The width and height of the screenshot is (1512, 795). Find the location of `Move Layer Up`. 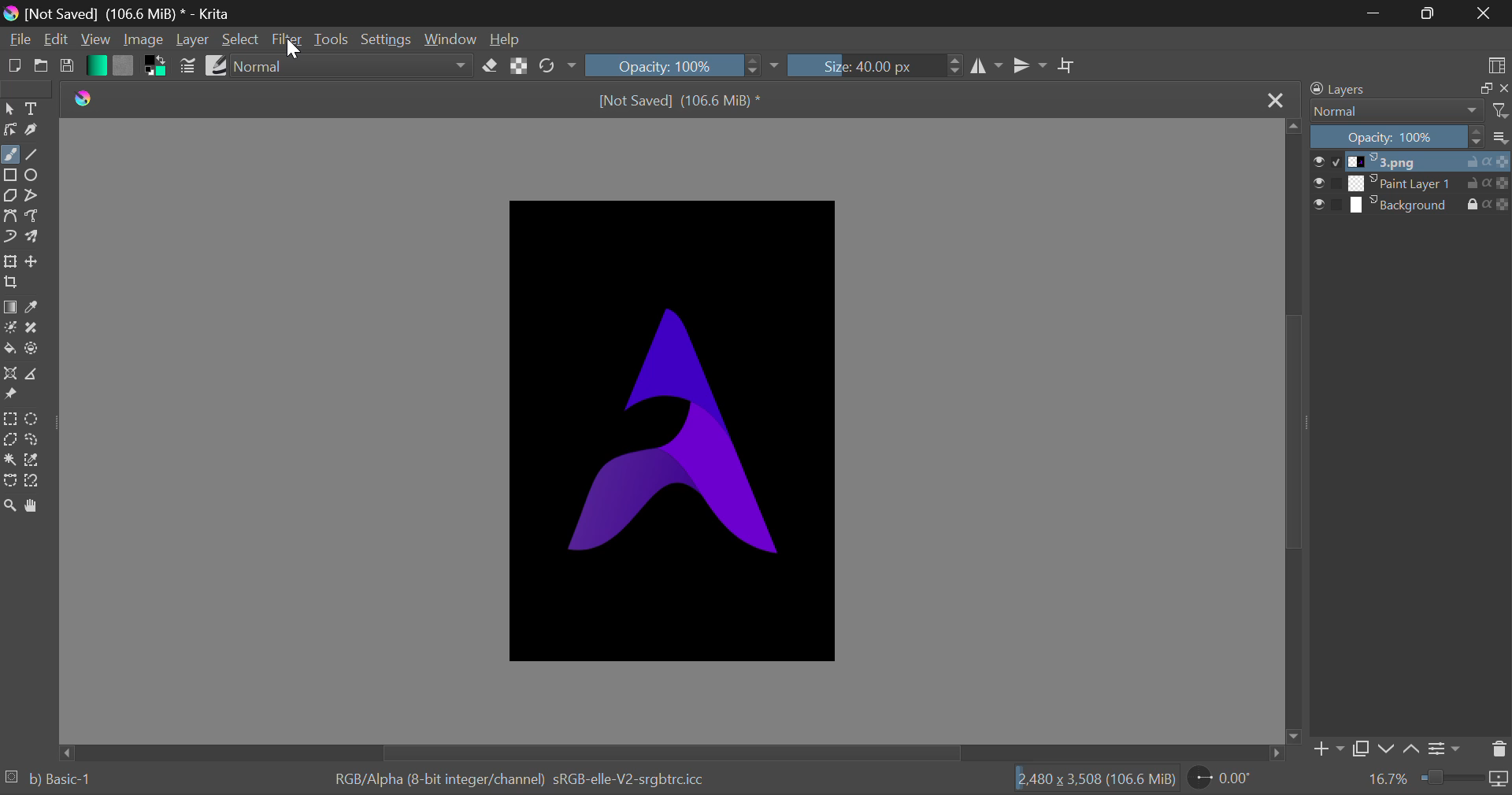

Move Layer Up is located at coordinates (1414, 748).